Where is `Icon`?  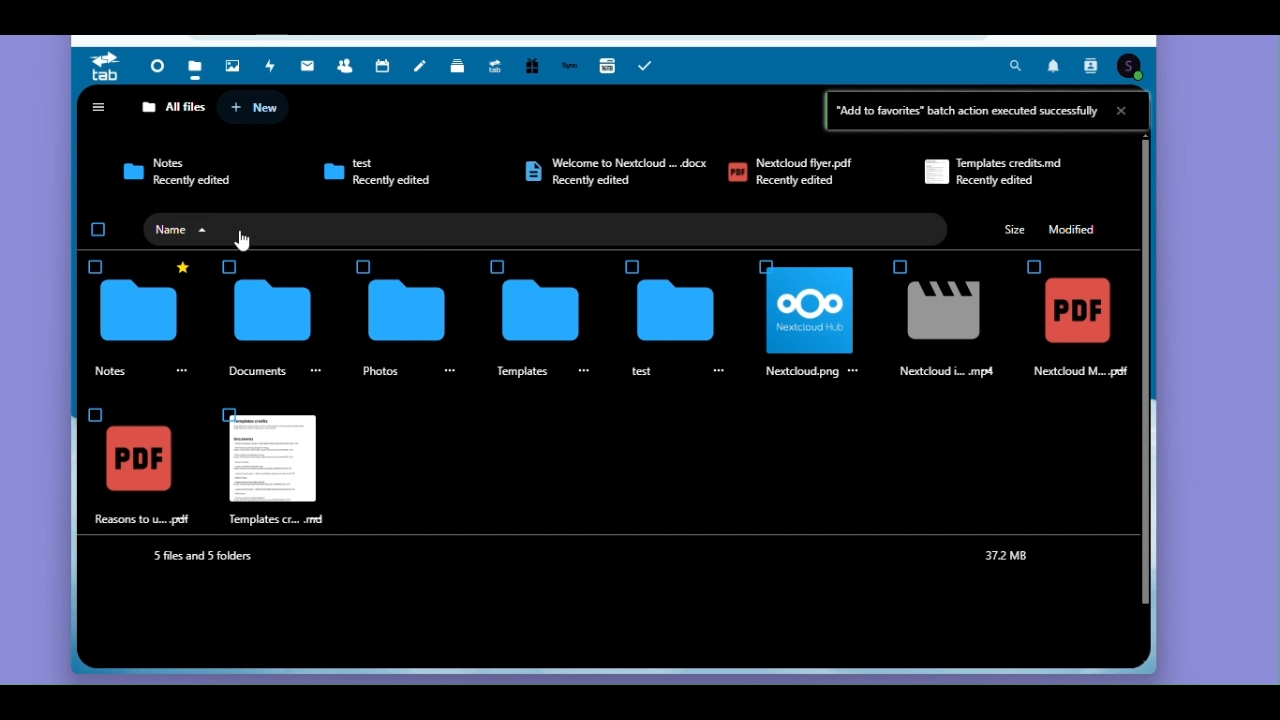 Icon is located at coordinates (333, 171).